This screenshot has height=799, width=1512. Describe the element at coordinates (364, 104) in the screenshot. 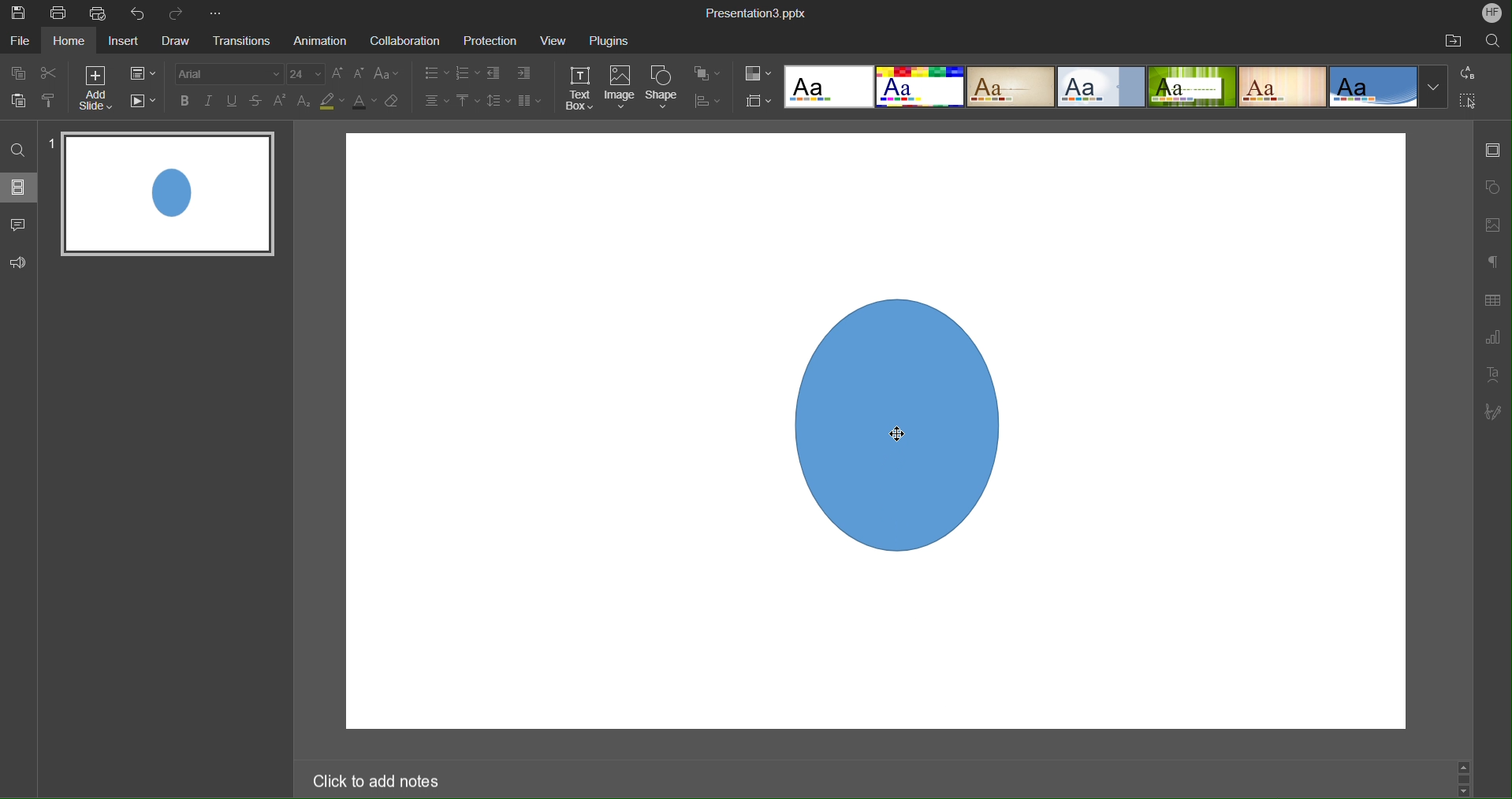

I see `Text Color` at that location.